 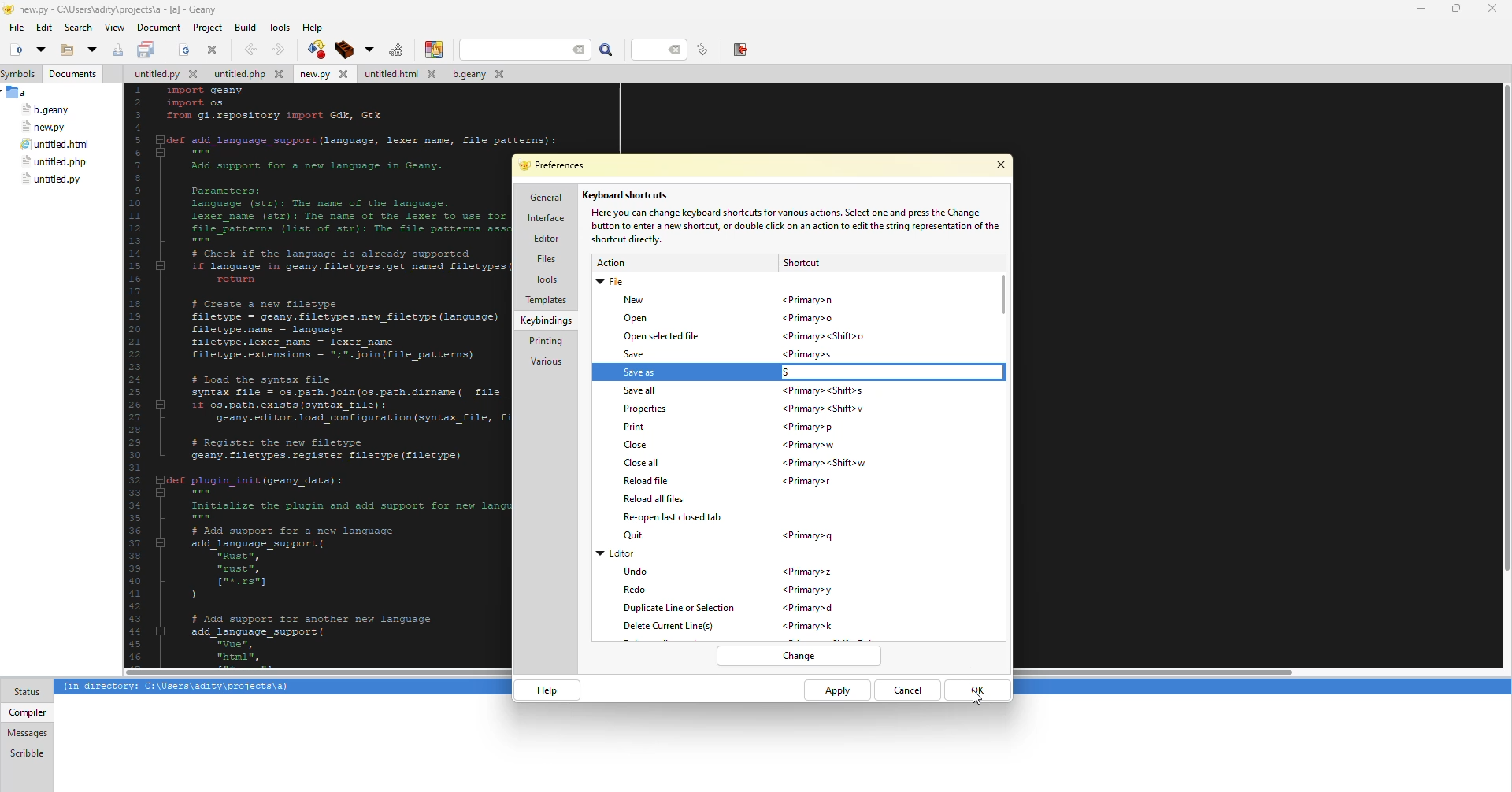 I want to click on print, so click(x=632, y=427).